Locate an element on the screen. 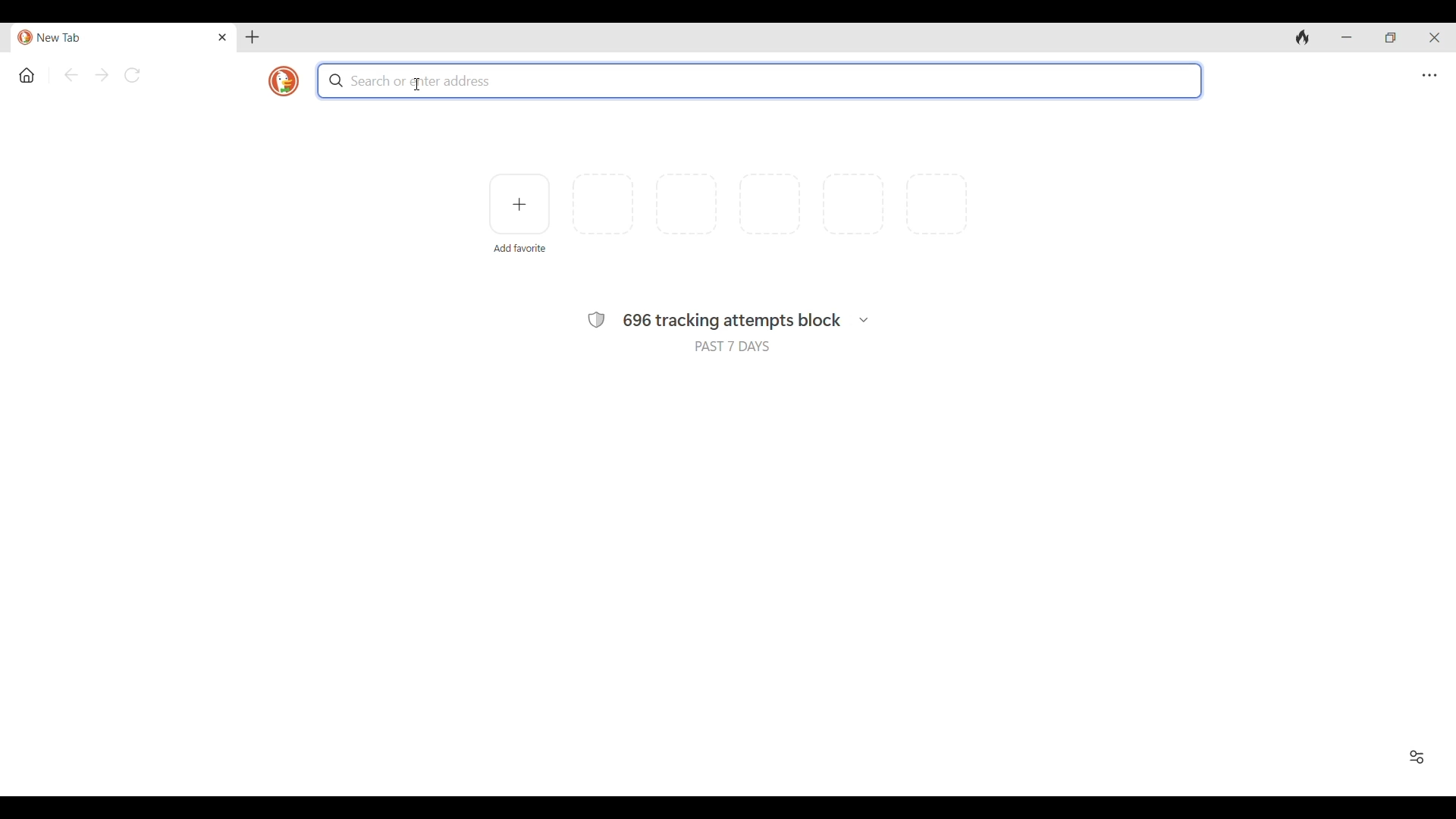  Reload page is located at coordinates (133, 75).